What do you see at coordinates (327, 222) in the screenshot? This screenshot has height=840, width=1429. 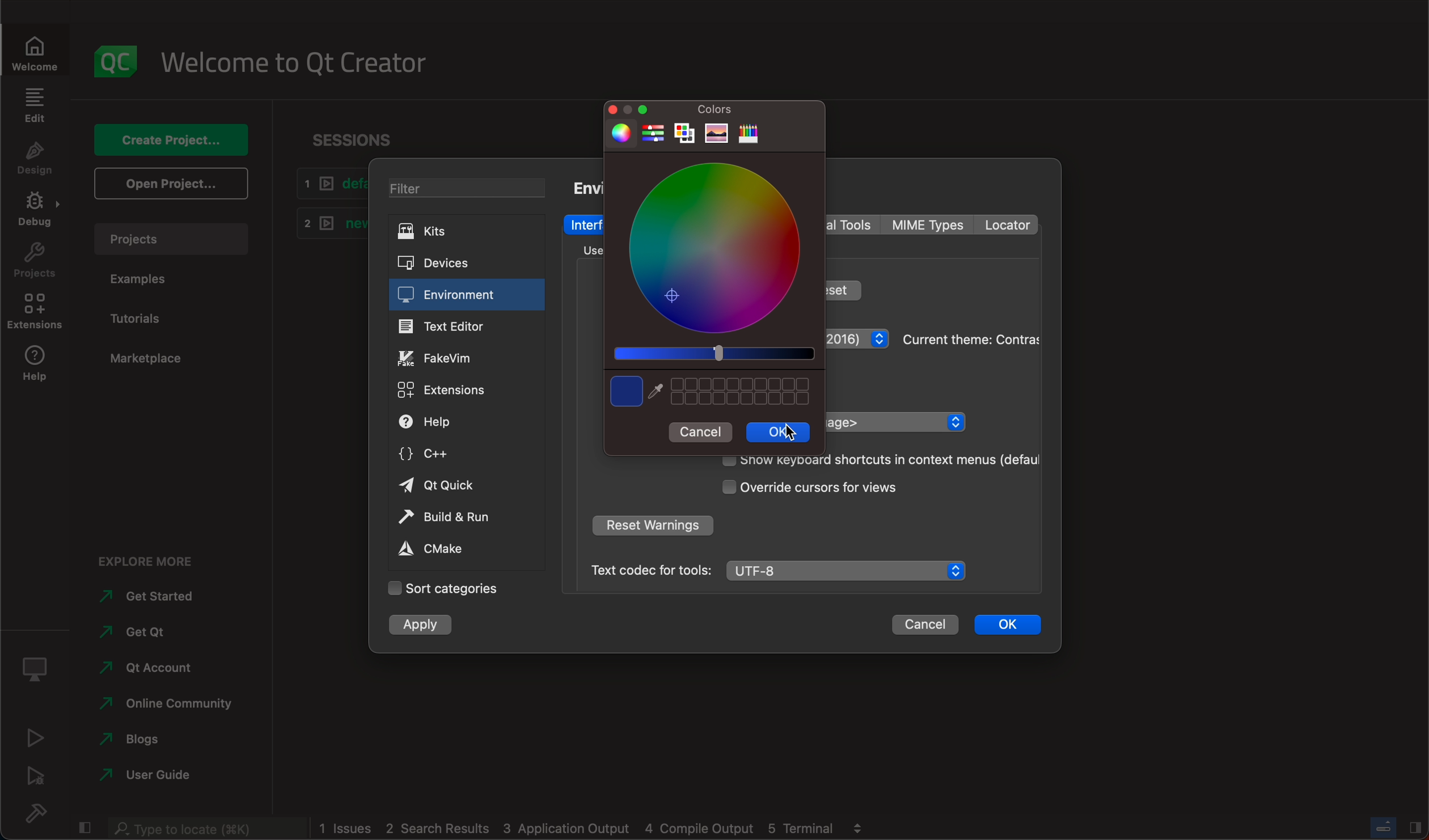 I see `2` at bounding box center [327, 222].